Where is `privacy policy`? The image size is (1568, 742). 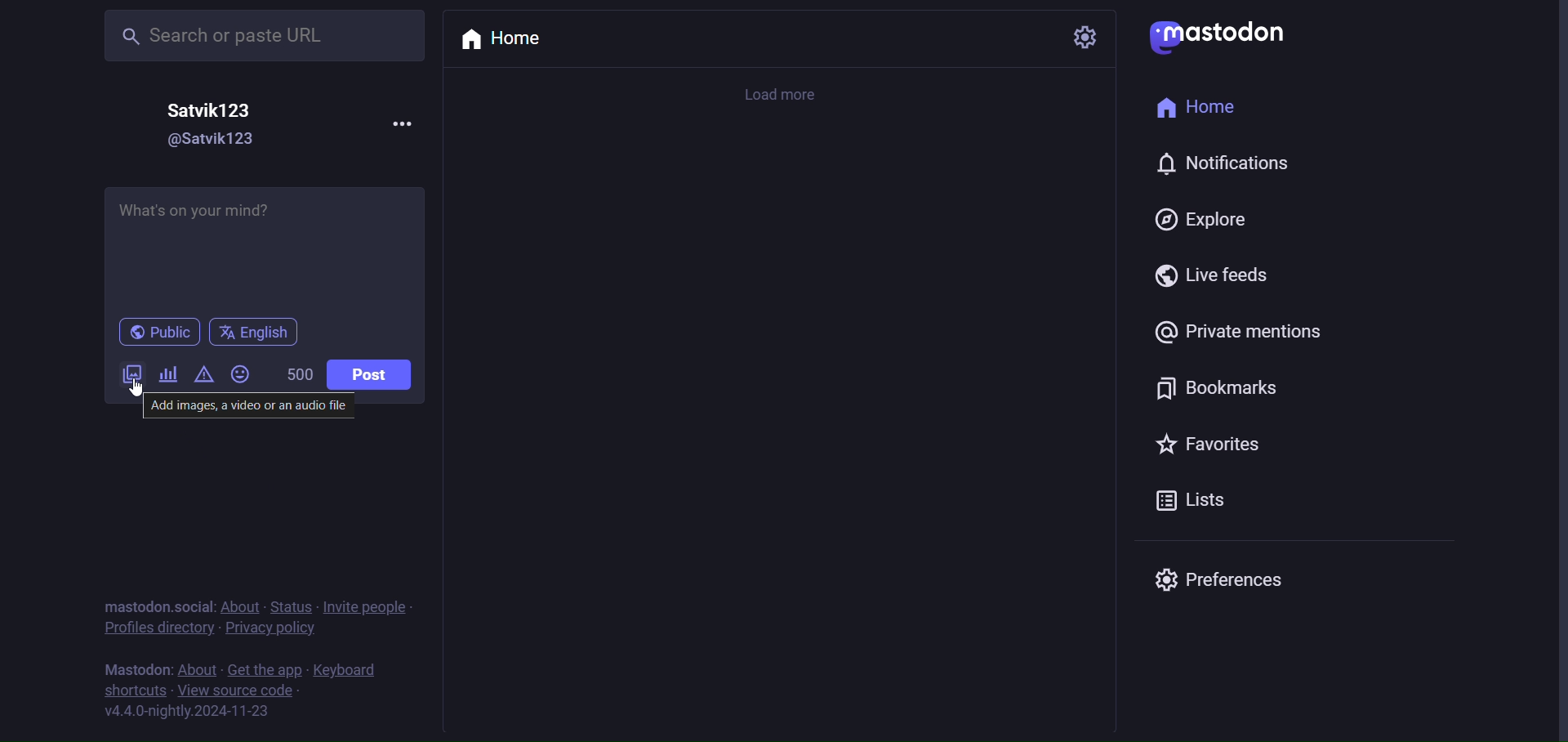
privacy policy is located at coordinates (269, 629).